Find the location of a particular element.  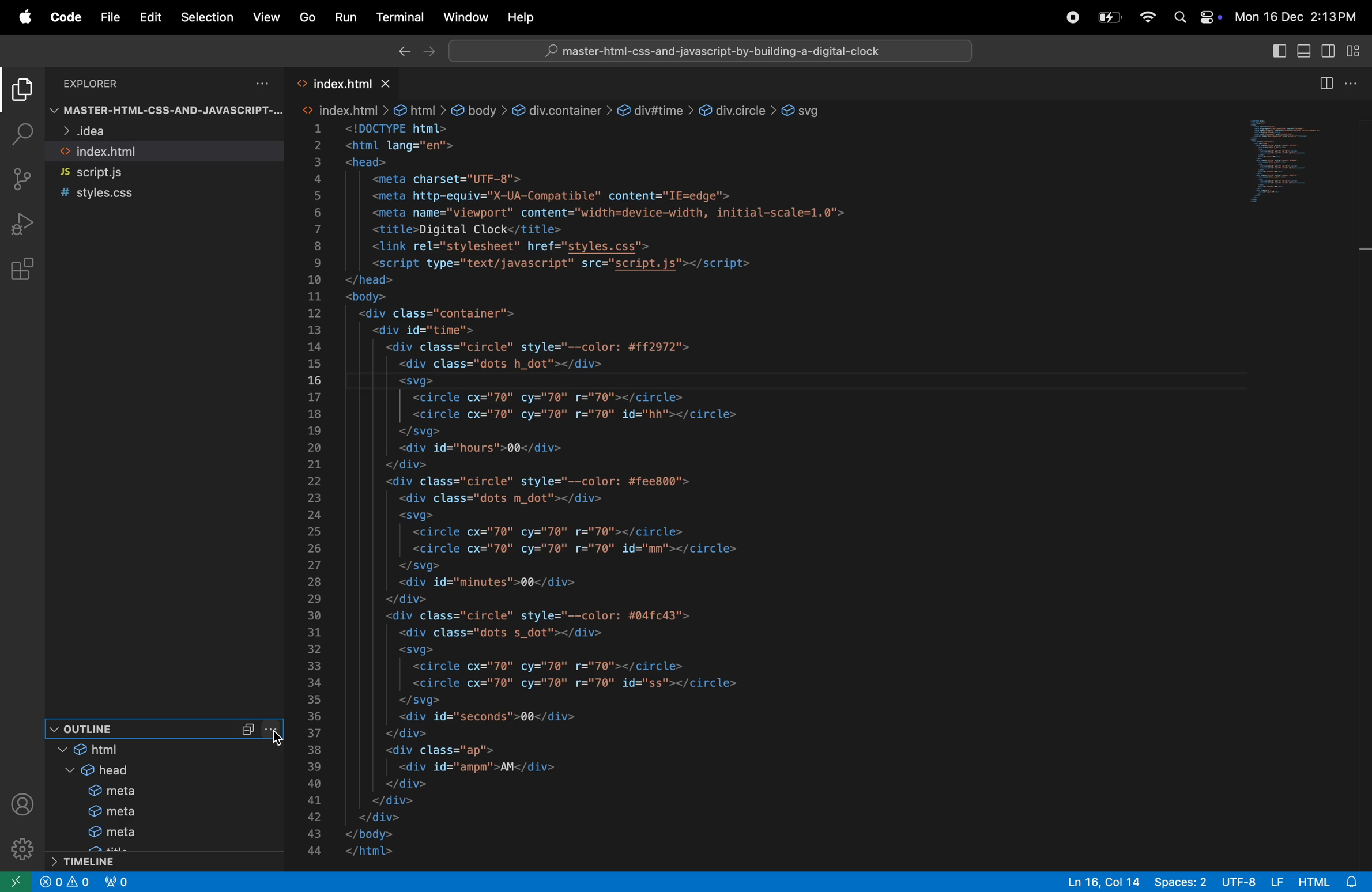

toggle panel is located at coordinates (1307, 50).